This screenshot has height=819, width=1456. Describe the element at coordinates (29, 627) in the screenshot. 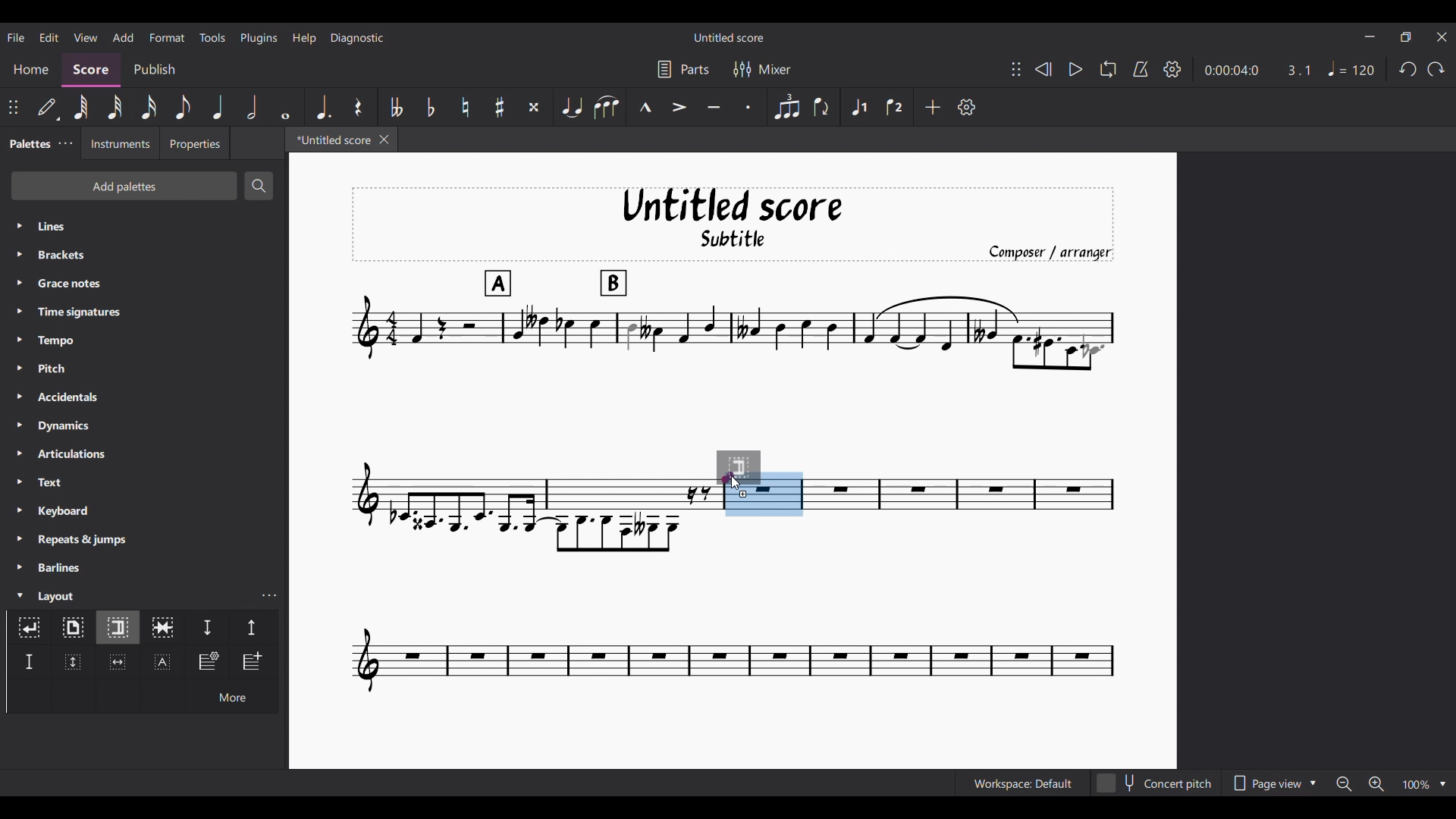

I see `System break` at that location.